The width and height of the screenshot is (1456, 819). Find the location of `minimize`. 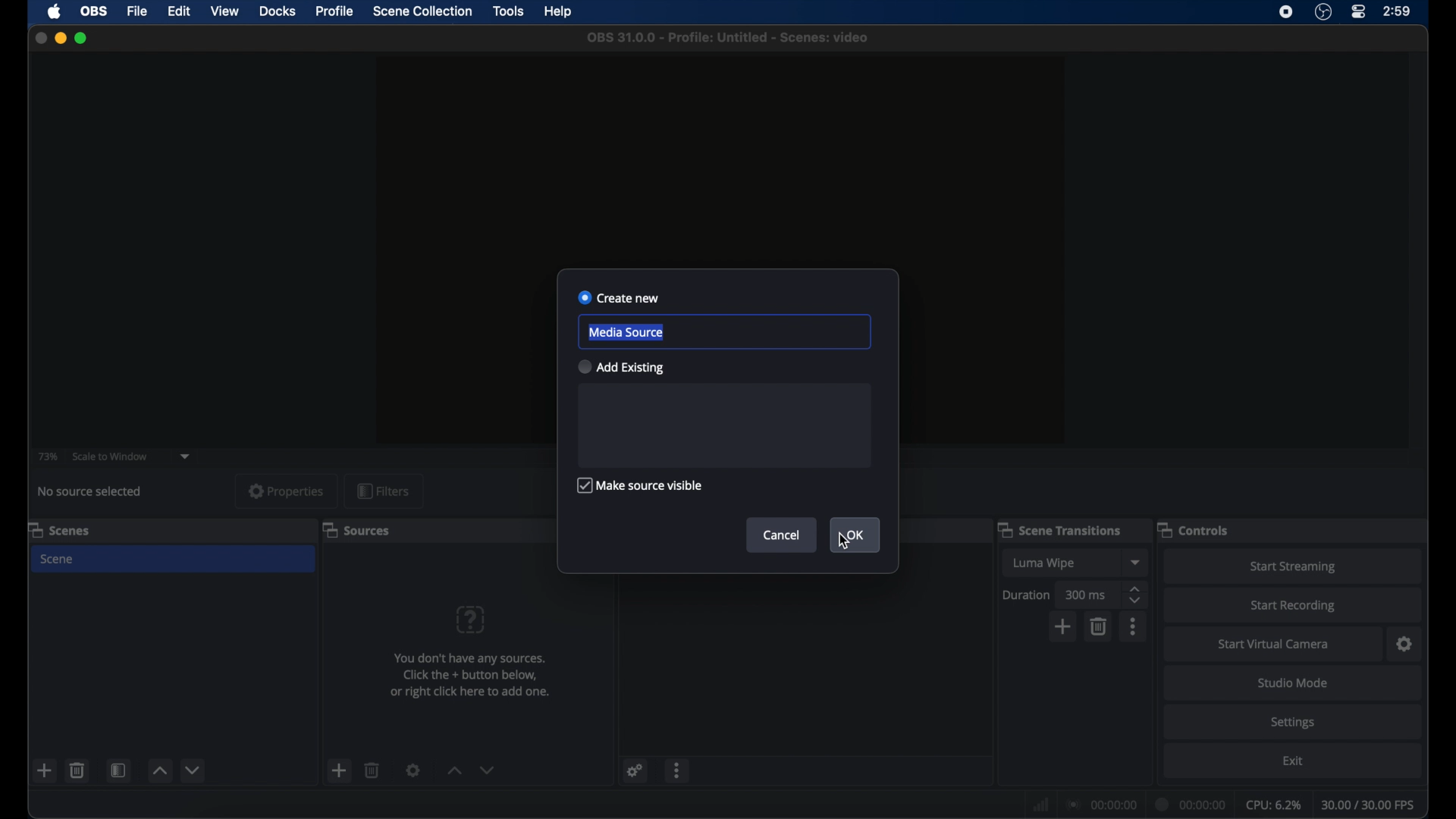

minimize is located at coordinates (60, 38).